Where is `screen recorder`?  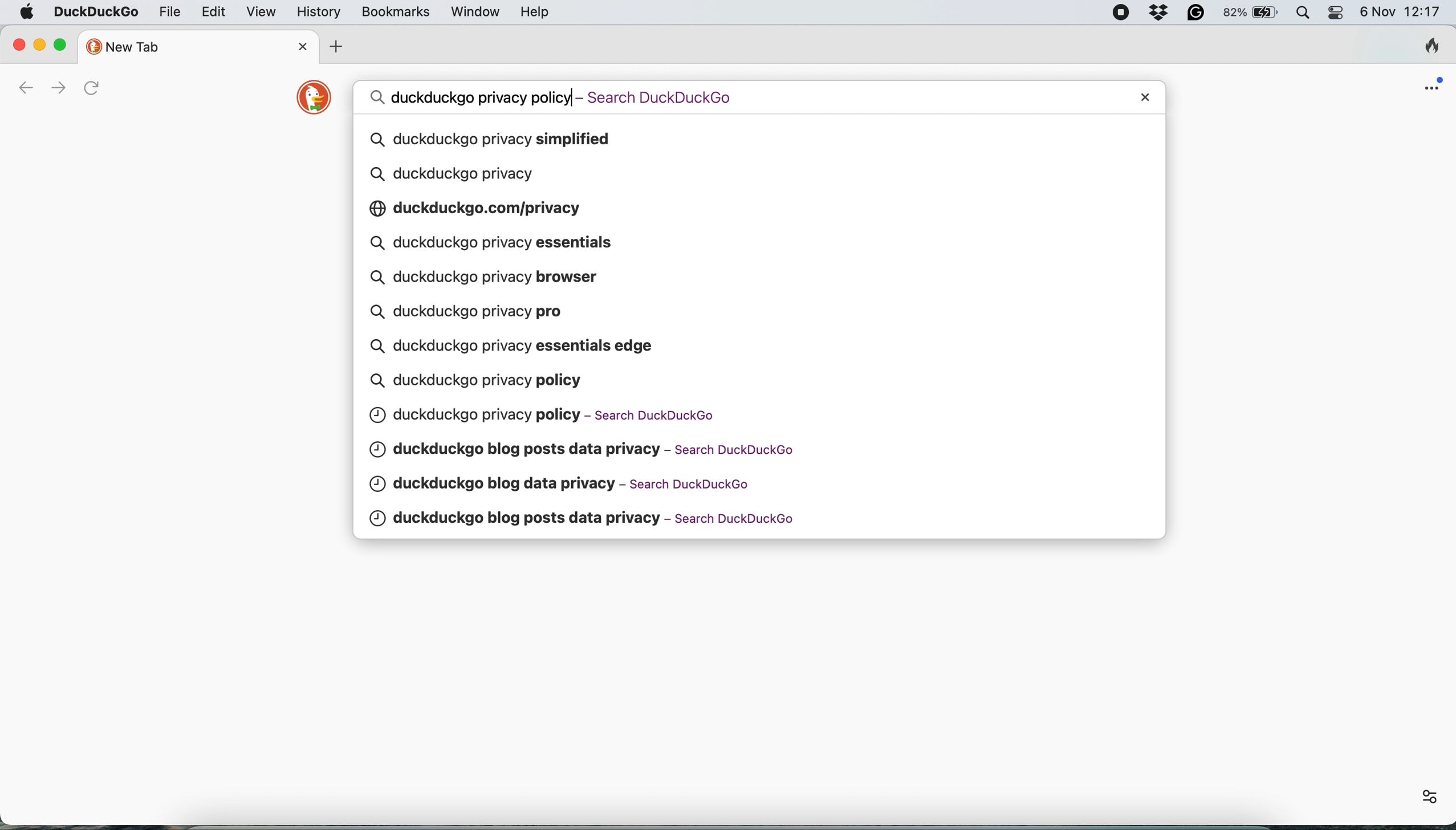
screen recorder is located at coordinates (1126, 15).